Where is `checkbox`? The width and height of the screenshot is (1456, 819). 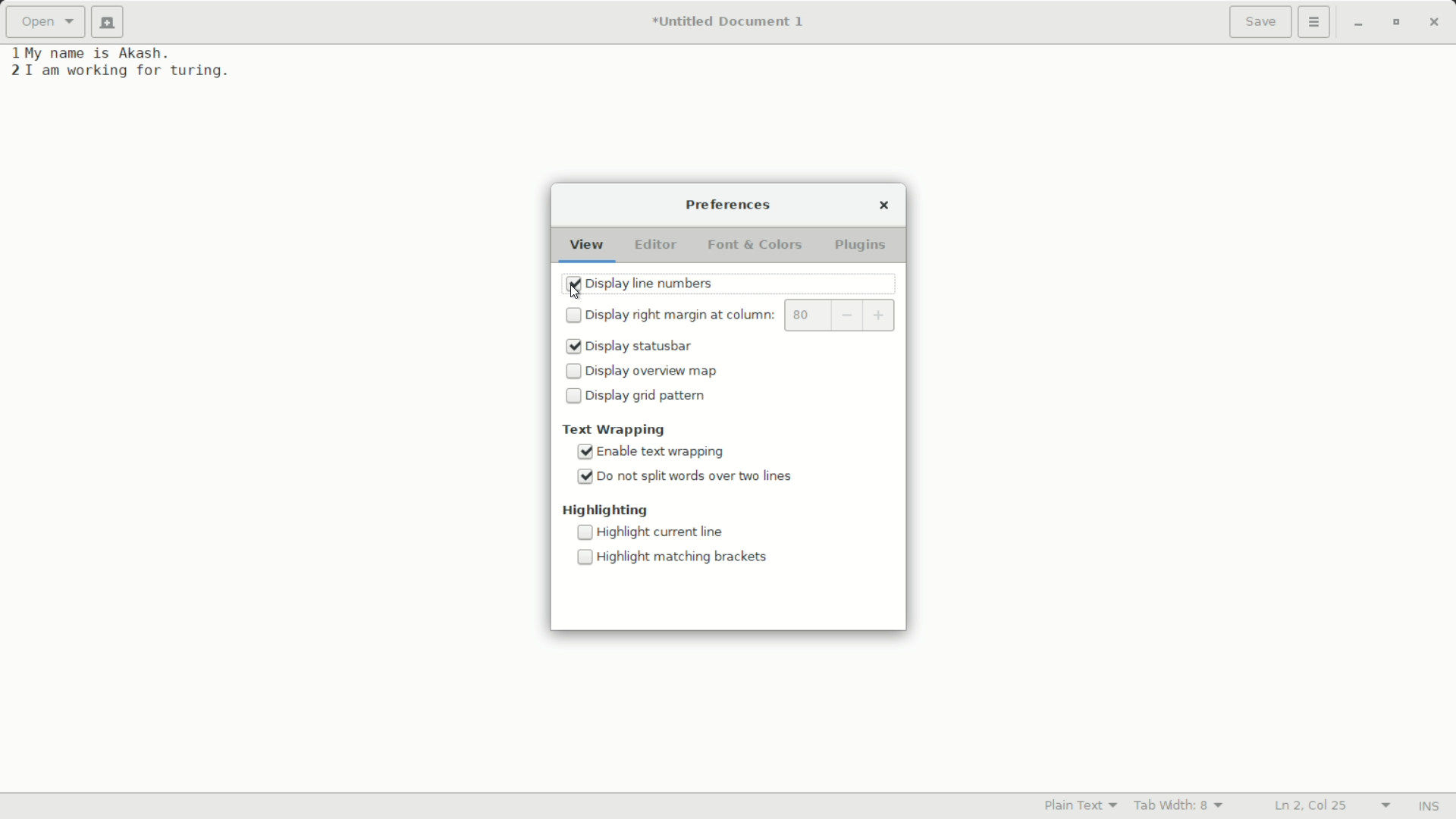
checkbox is located at coordinates (575, 315).